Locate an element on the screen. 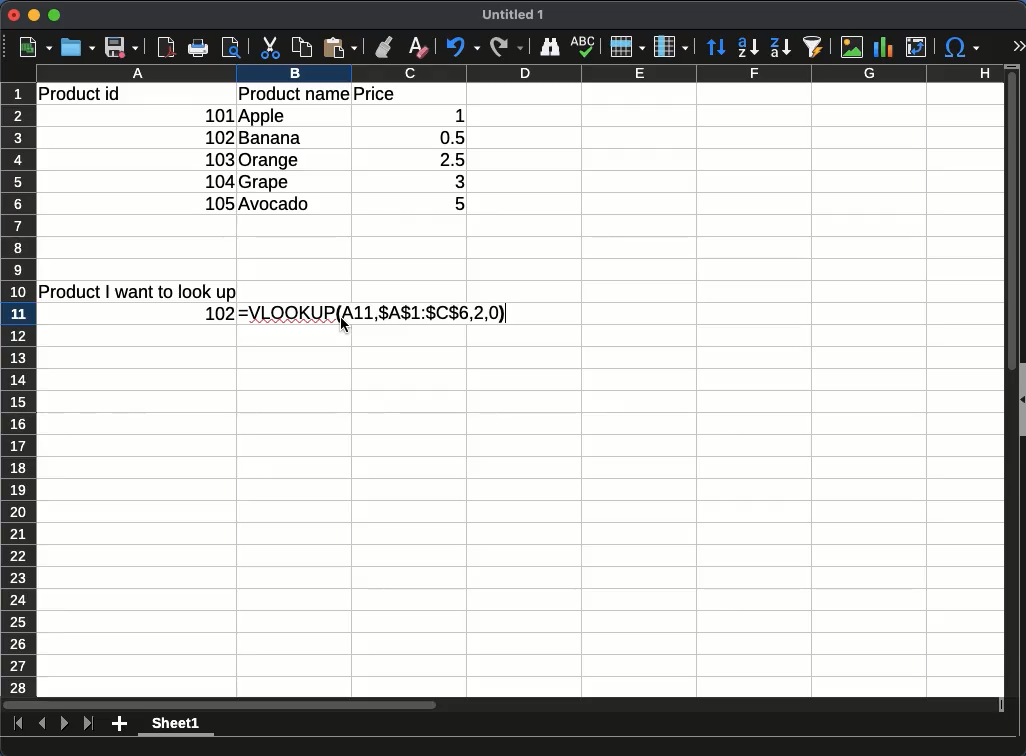 The height and width of the screenshot is (756, 1026). product I want to look up is located at coordinates (137, 292).